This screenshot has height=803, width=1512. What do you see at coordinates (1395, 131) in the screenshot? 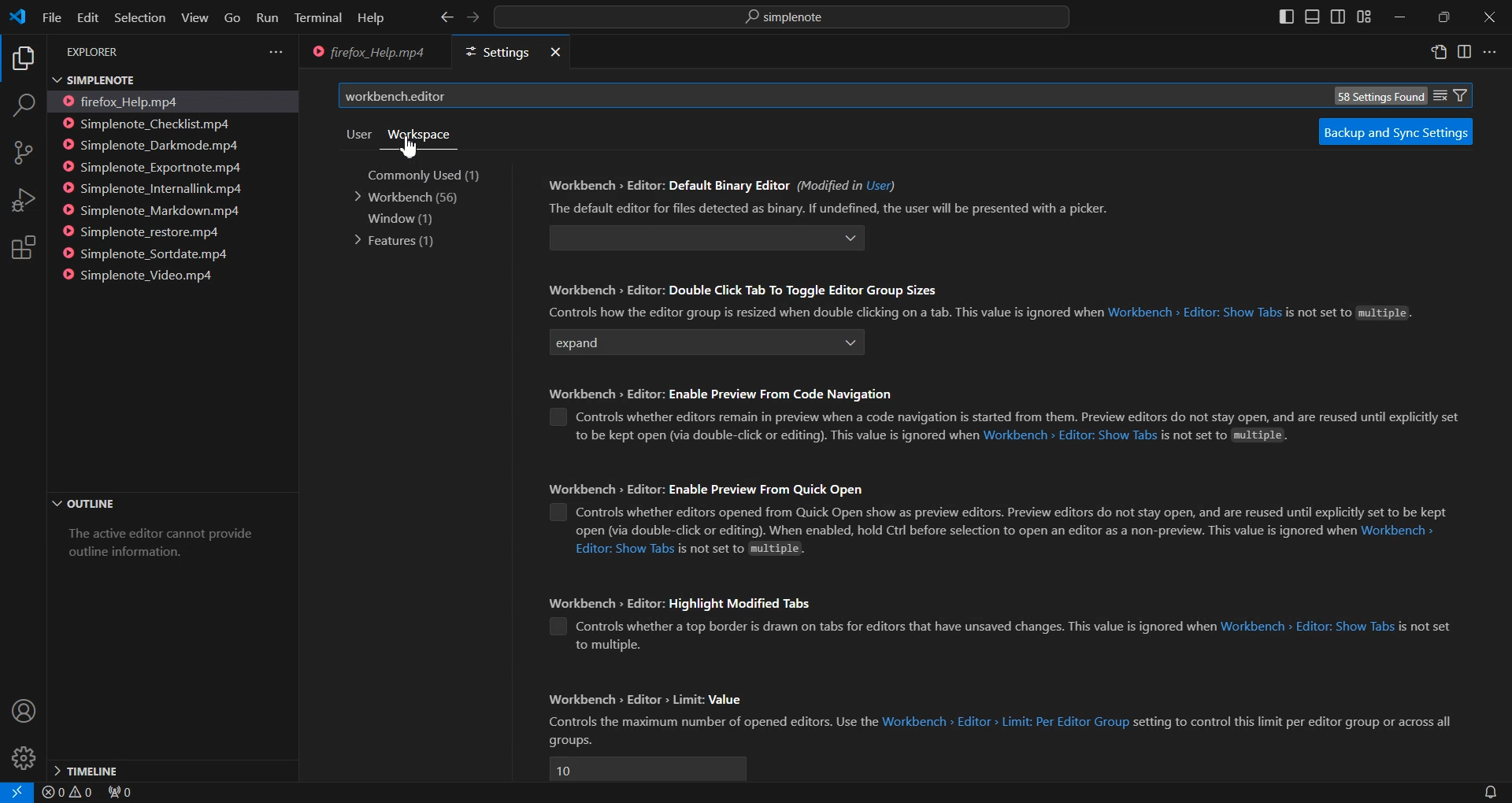
I see `Backup and sync Settings` at bounding box center [1395, 131].